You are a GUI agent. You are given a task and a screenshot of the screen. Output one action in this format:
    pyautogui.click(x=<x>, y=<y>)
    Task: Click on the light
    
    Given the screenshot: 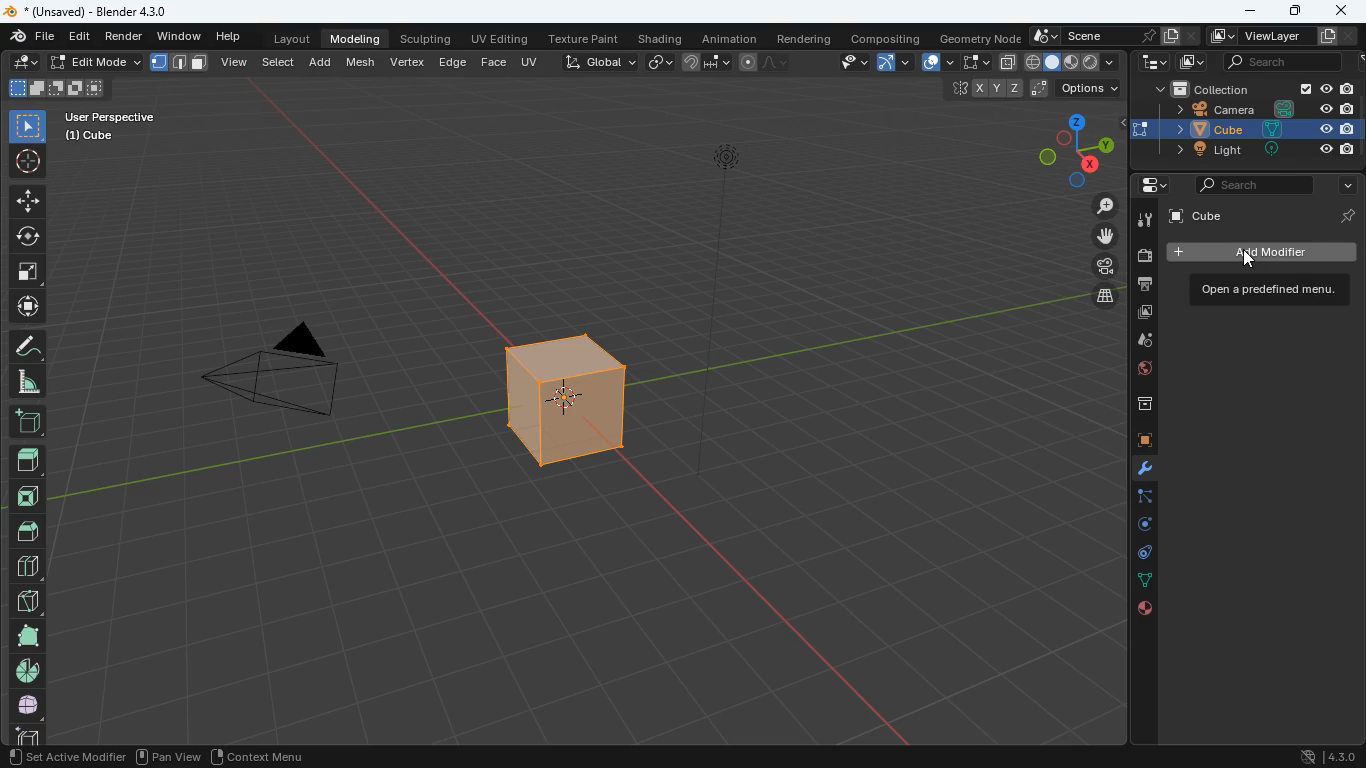 What is the action you would take?
    pyautogui.click(x=746, y=195)
    